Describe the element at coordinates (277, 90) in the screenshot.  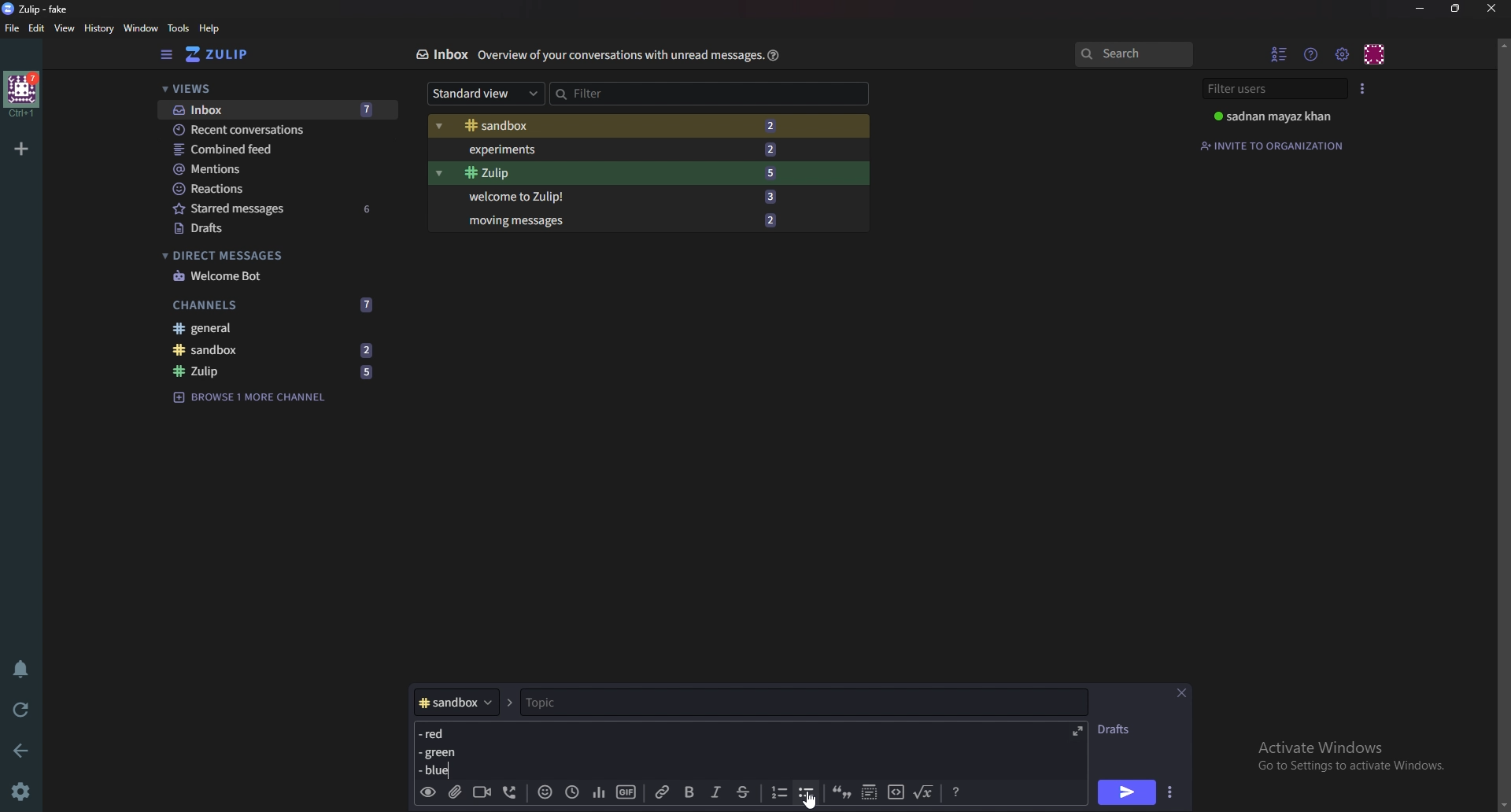
I see `views` at that location.